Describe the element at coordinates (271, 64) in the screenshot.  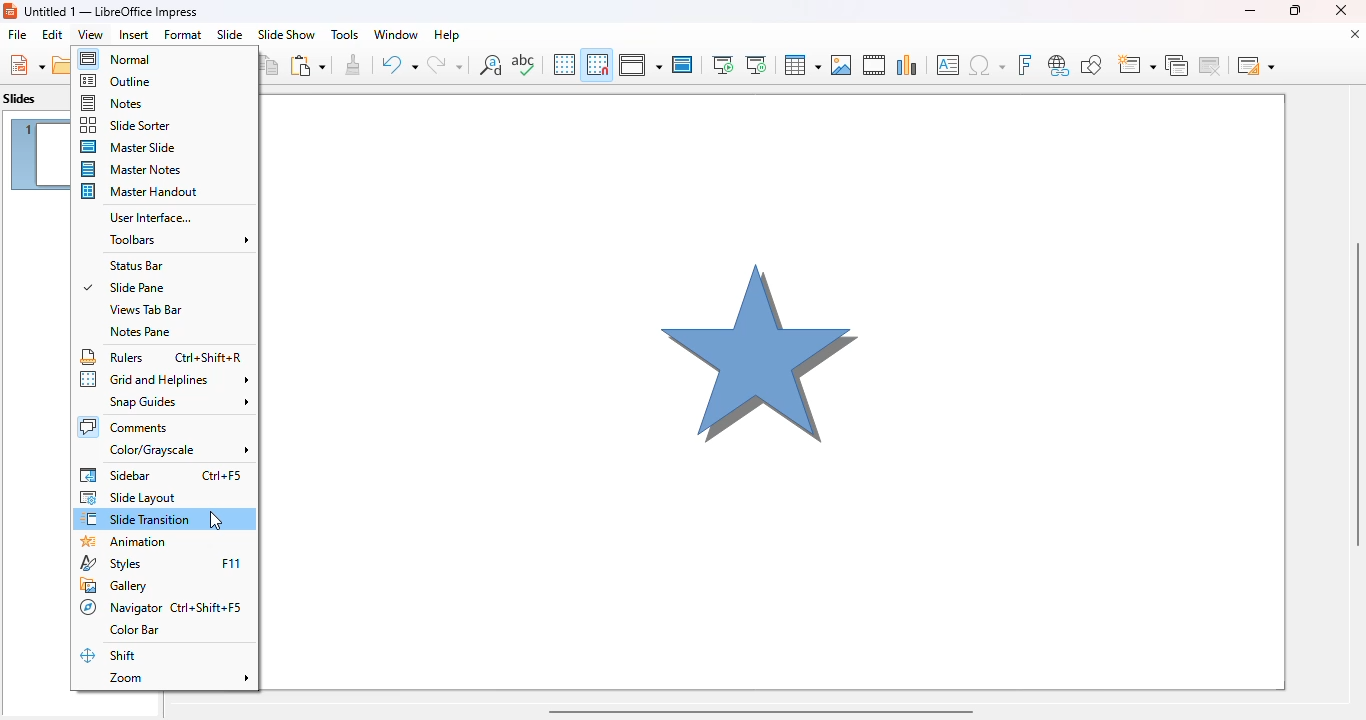
I see `copy` at that location.